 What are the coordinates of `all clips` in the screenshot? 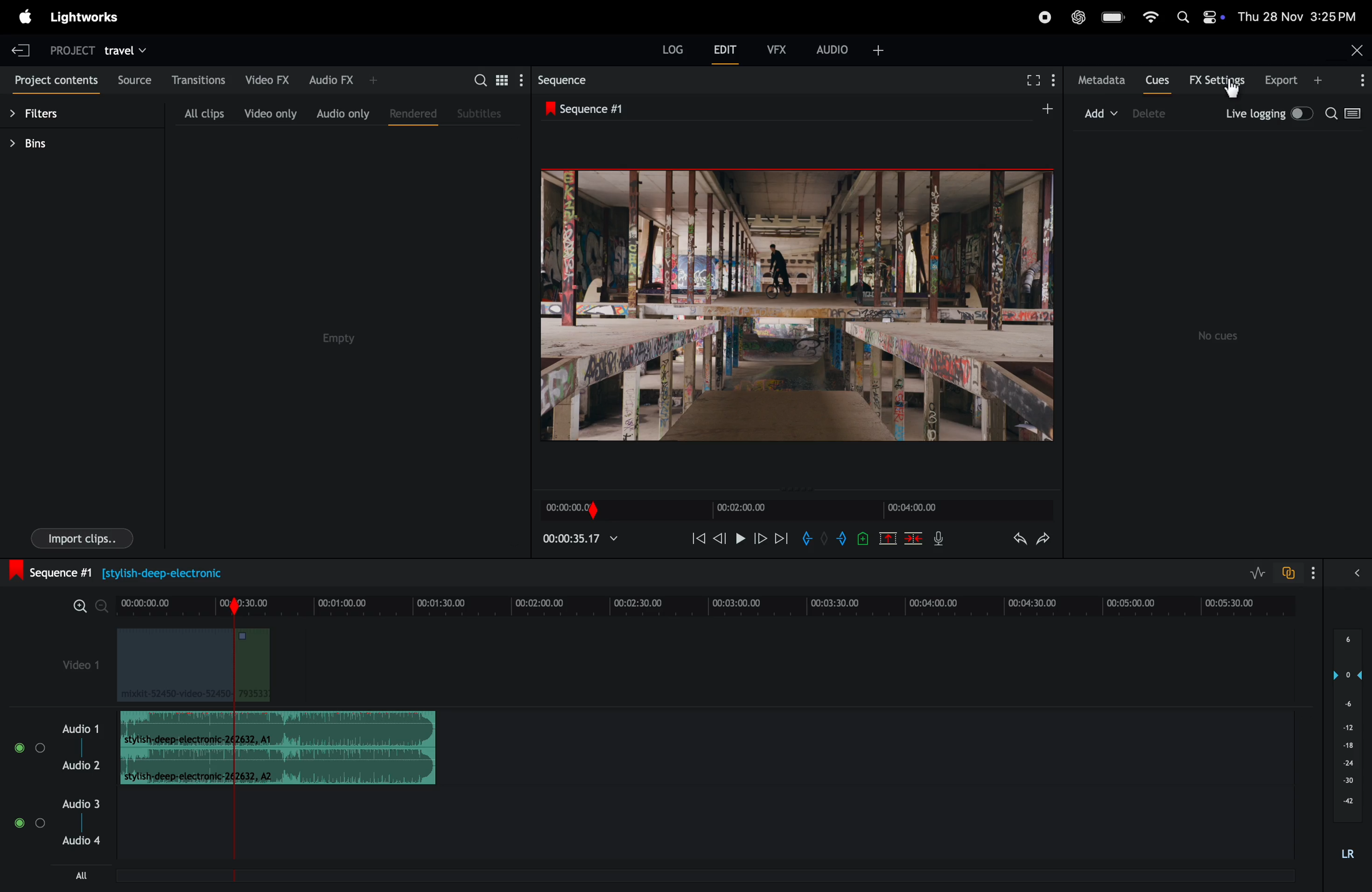 It's located at (195, 112).